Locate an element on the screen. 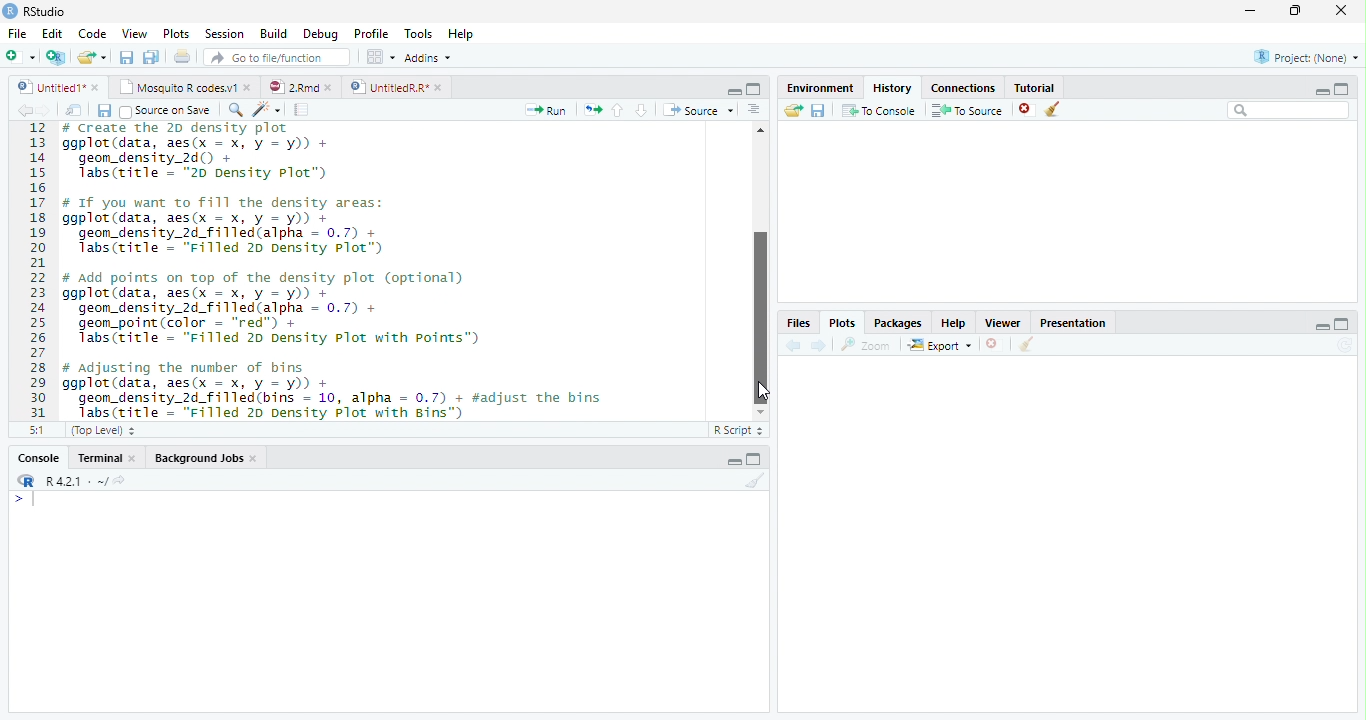 The height and width of the screenshot is (720, 1366). next is located at coordinates (821, 346).